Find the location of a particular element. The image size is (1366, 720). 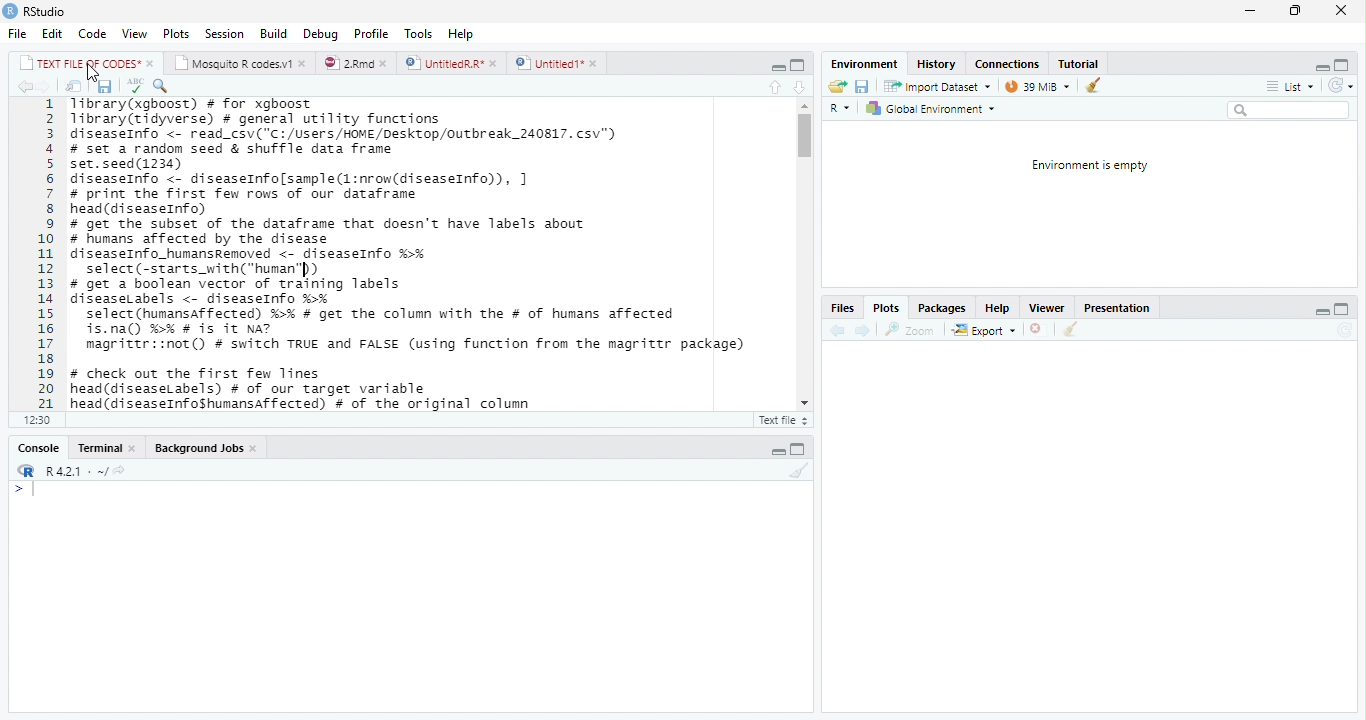

Previous is located at coordinates (23, 87).